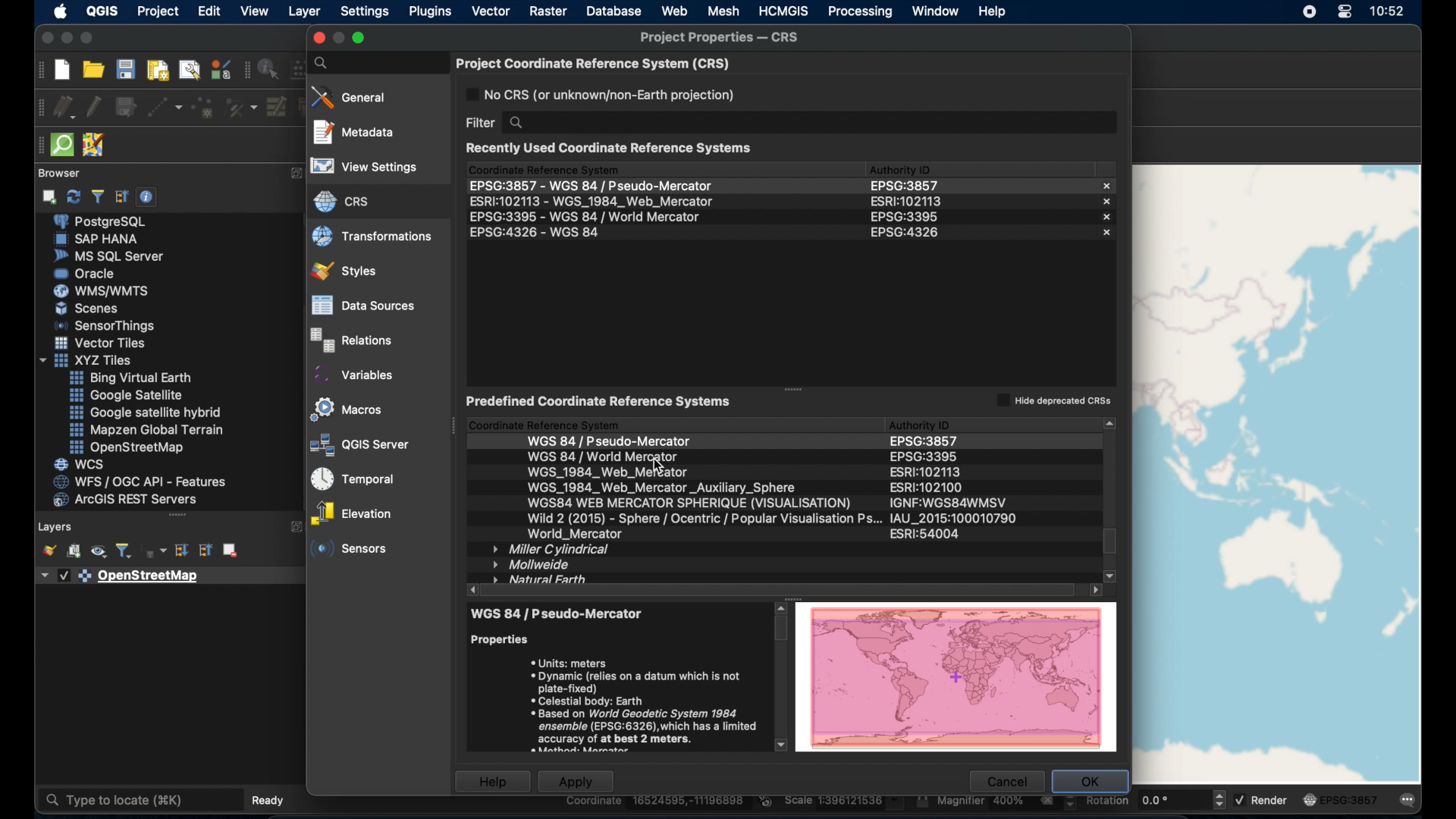 The width and height of the screenshot is (1456, 819). What do you see at coordinates (74, 198) in the screenshot?
I see `refresh` at bounding box center [74, 198].